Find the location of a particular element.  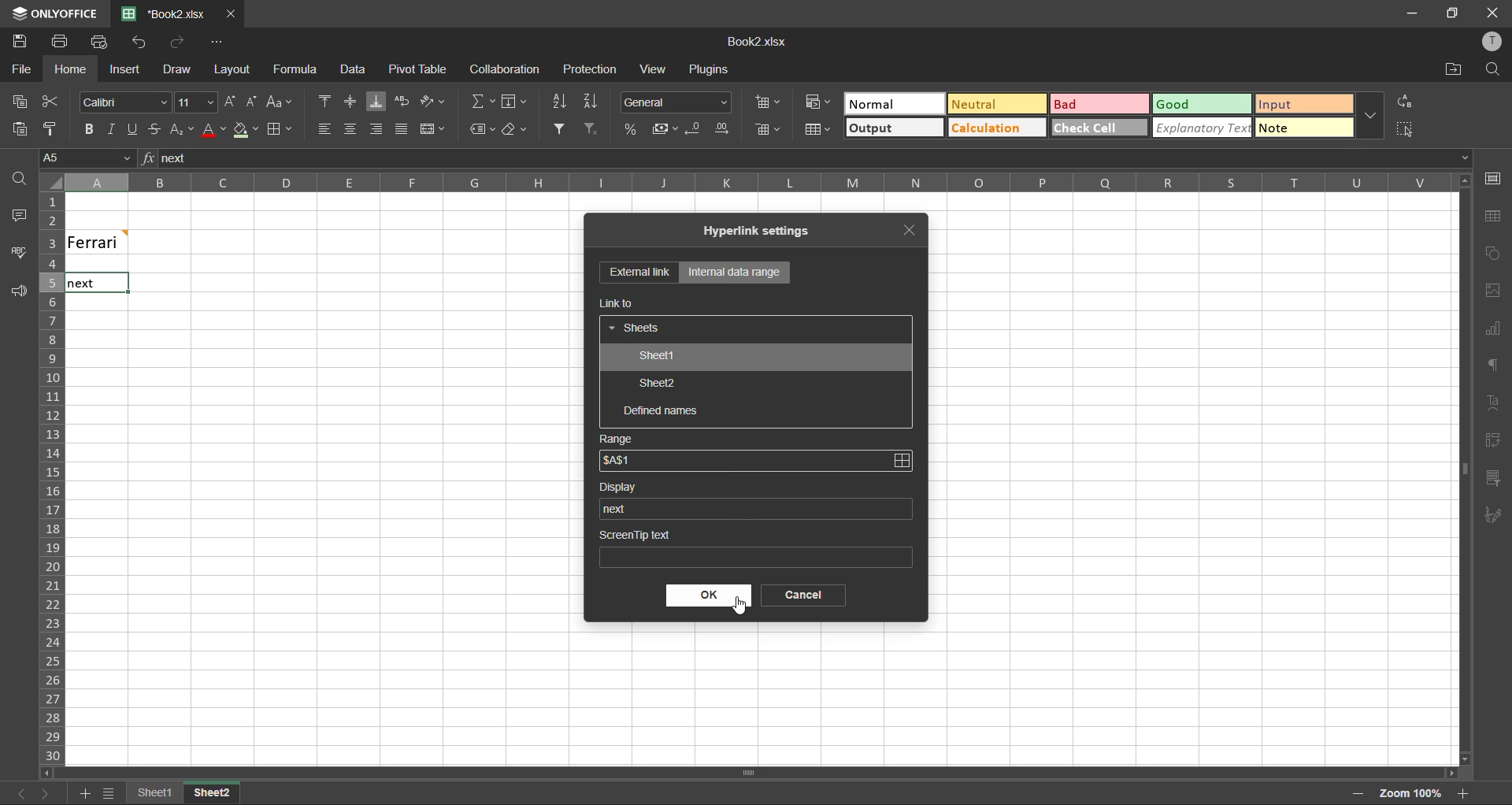

change case is located at coordinates (280, 102).